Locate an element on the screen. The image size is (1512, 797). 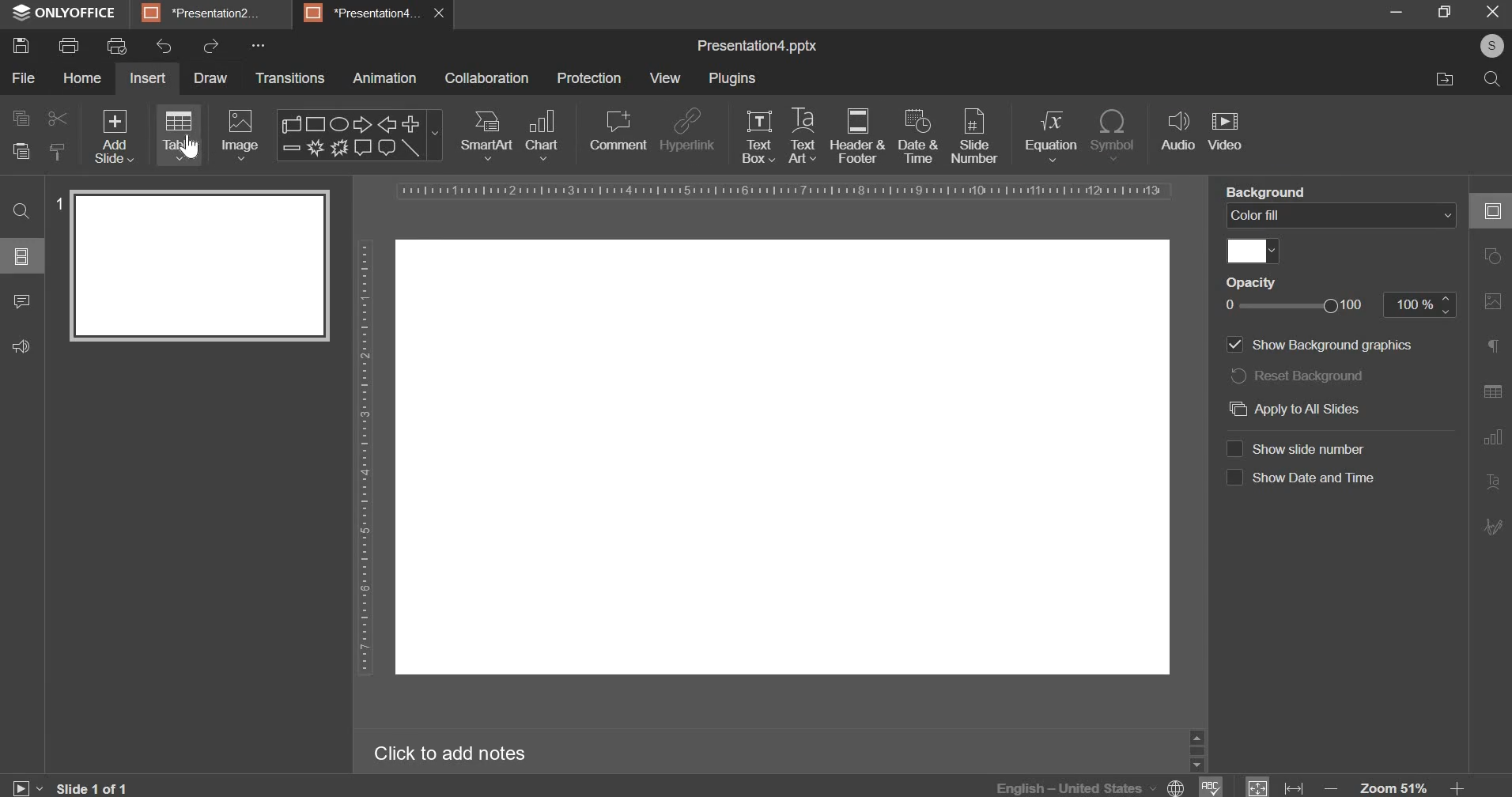
set document language is located at coordinates (1177, 786).